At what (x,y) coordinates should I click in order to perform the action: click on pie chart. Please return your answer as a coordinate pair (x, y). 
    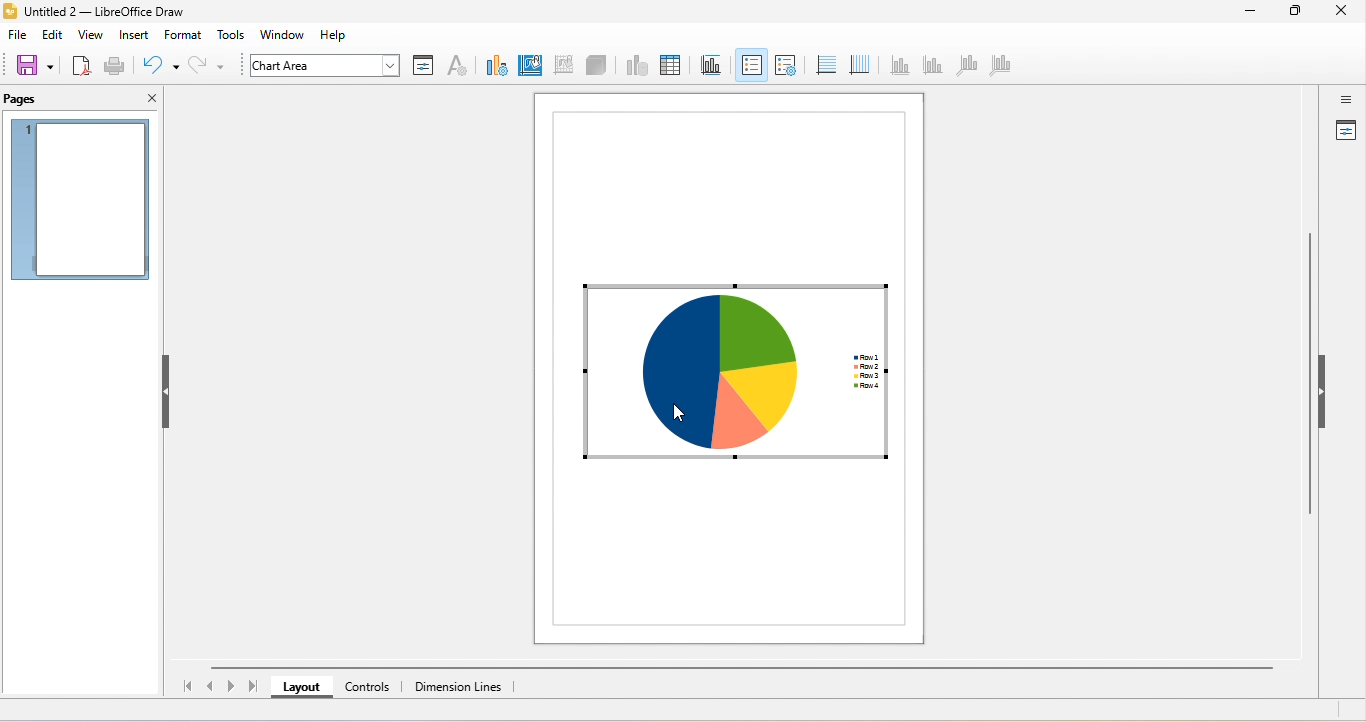
    Looking at the image, I should click on (732, 368).